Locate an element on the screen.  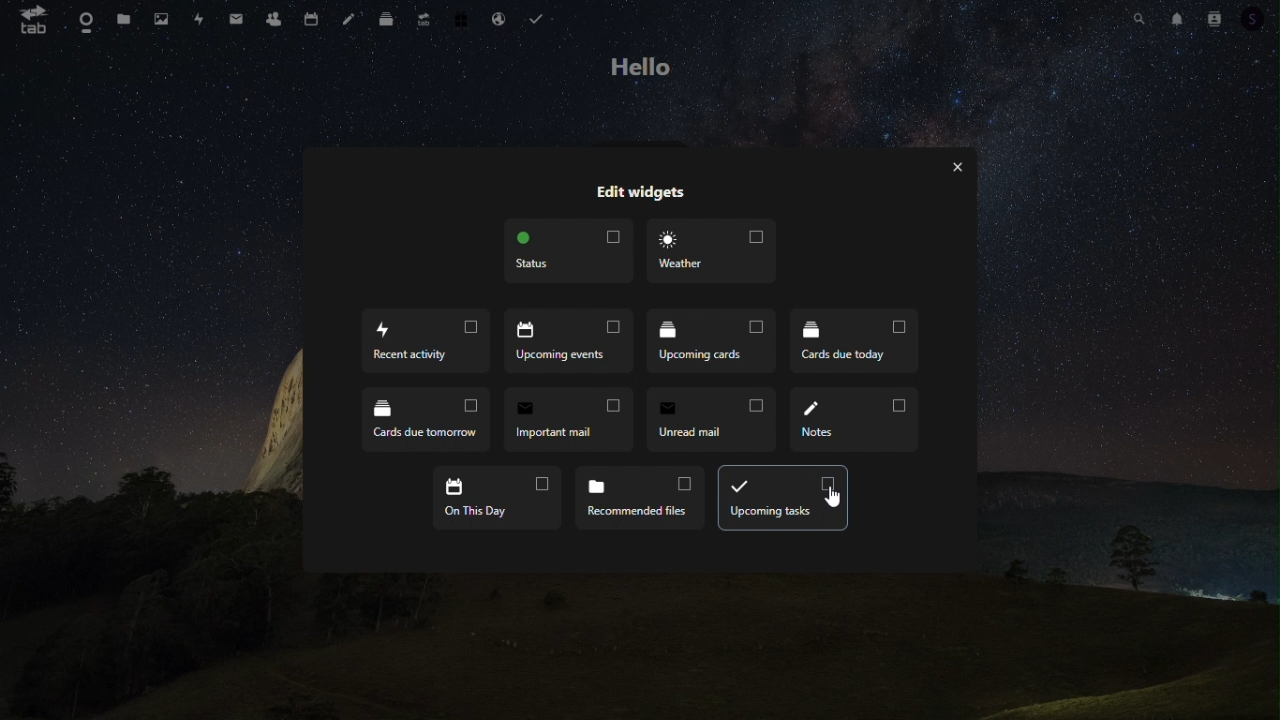
deck is located at coordinates (387, 22).